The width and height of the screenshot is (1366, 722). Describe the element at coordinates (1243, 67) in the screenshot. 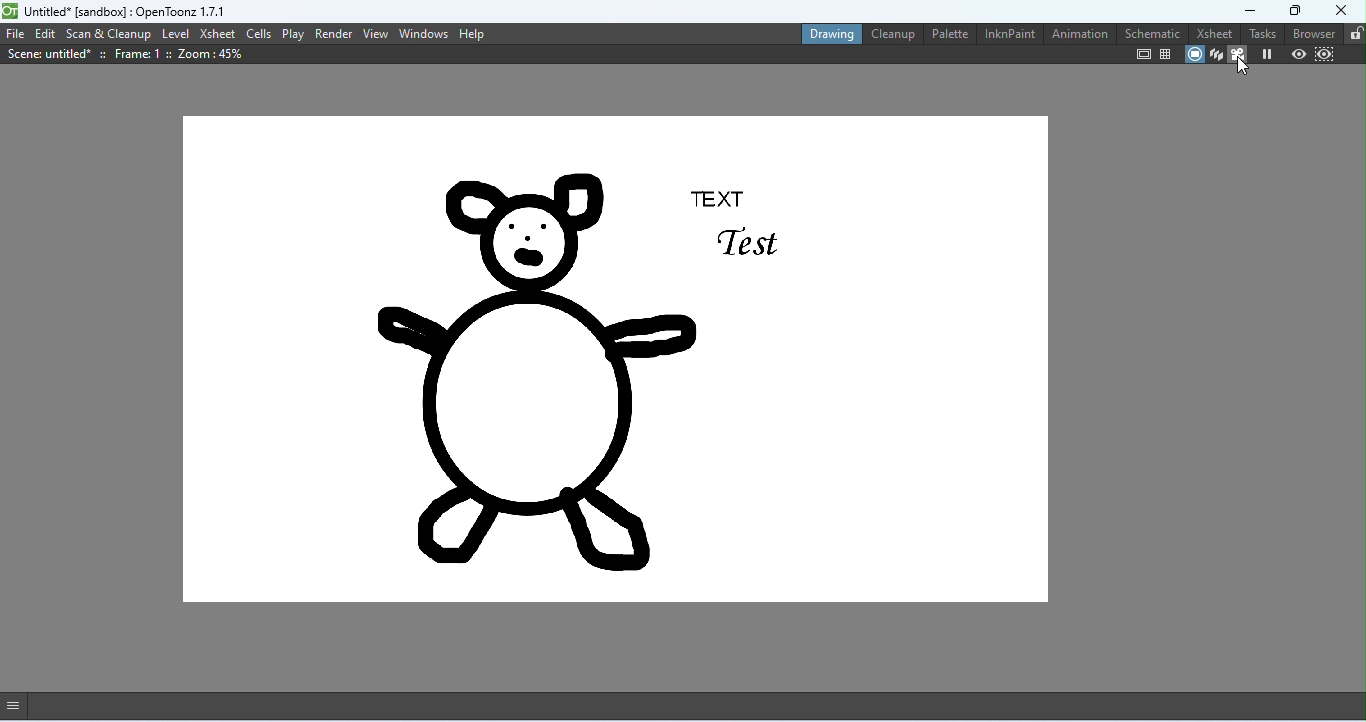

I see `cursor` at that location.